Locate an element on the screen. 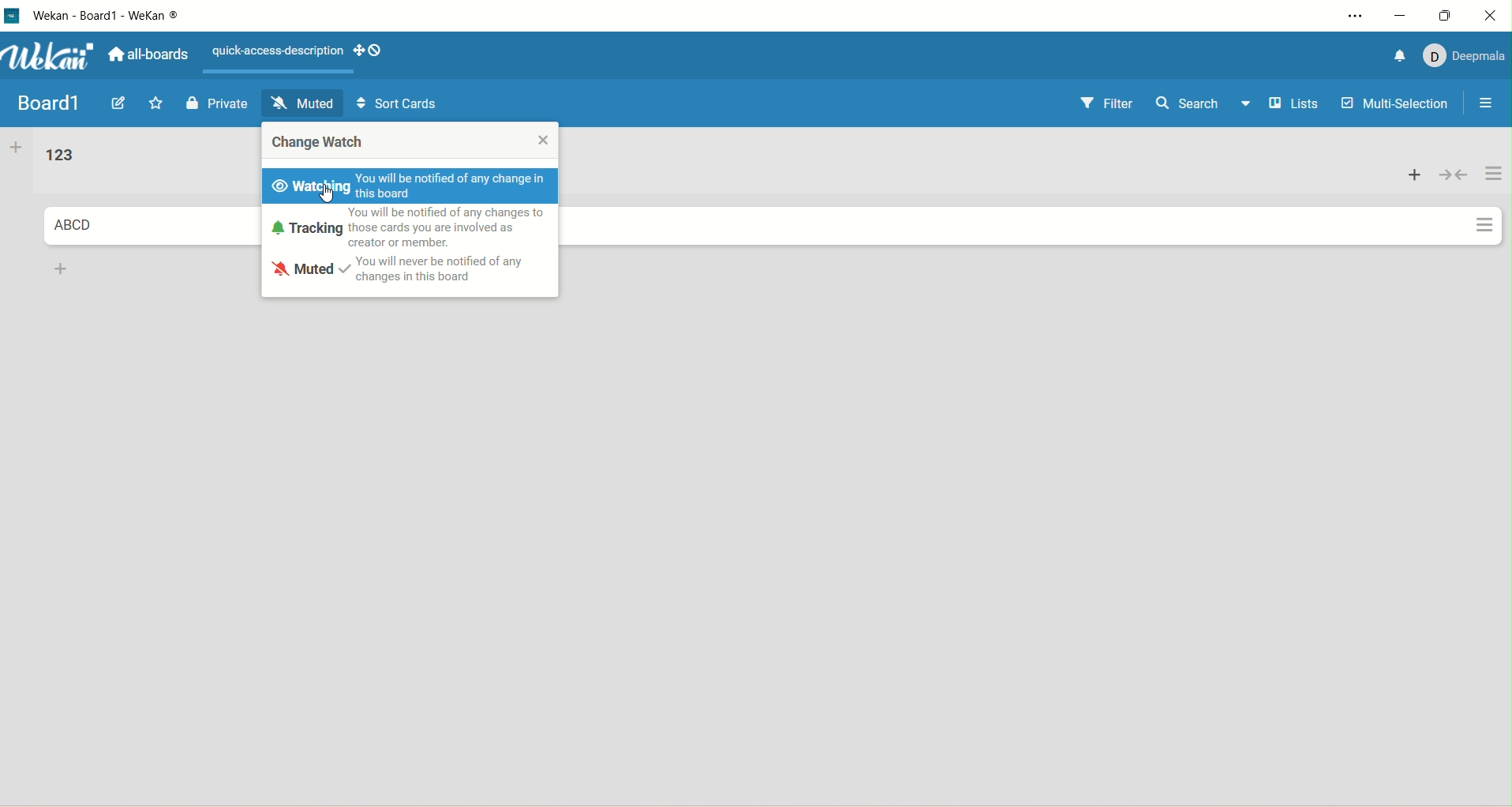 The width and height of the screenshot is (1512, 807). lists is located at coordinates (1286, 103).